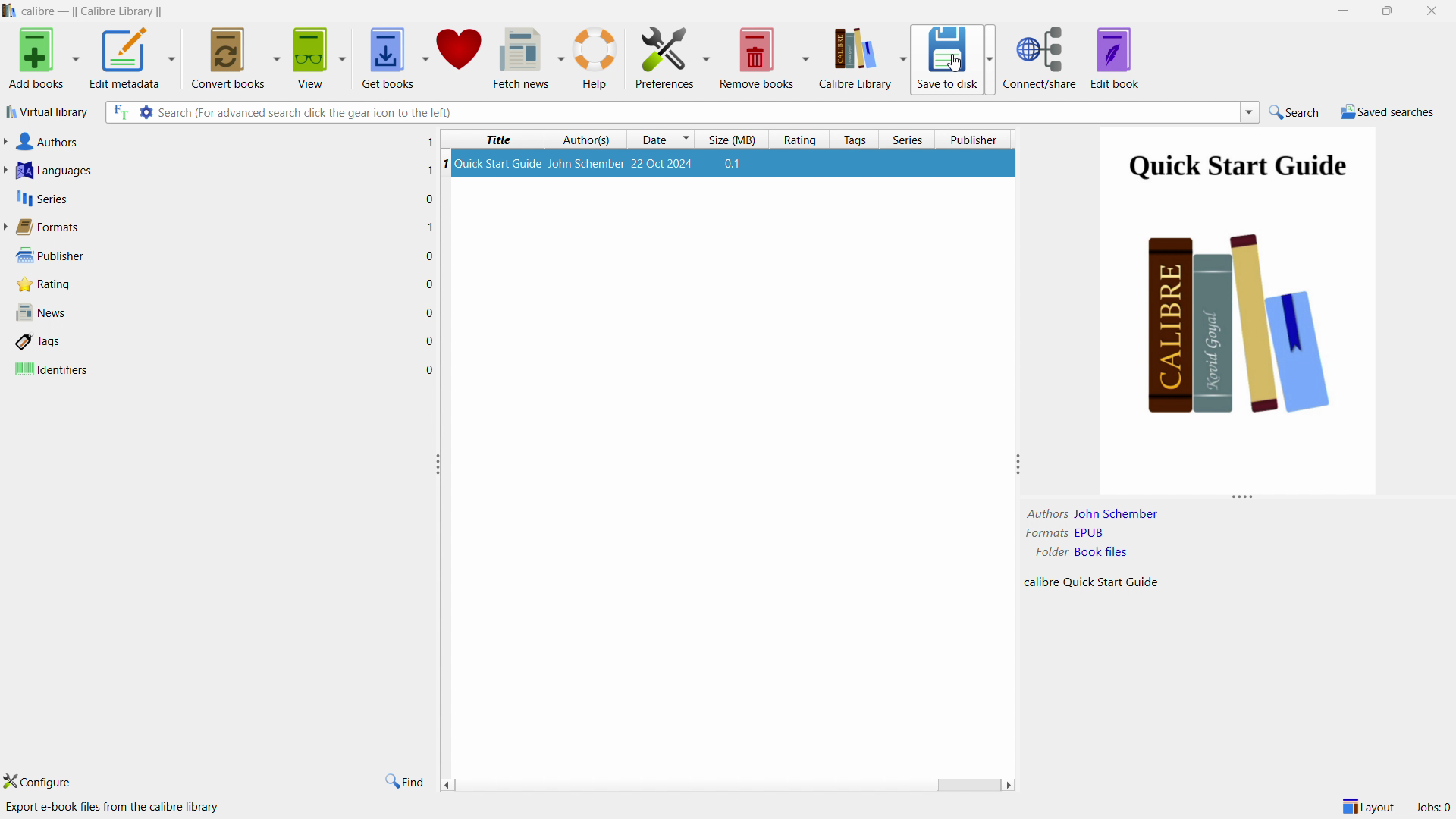  I want to click on resize, so click(1241, 500).